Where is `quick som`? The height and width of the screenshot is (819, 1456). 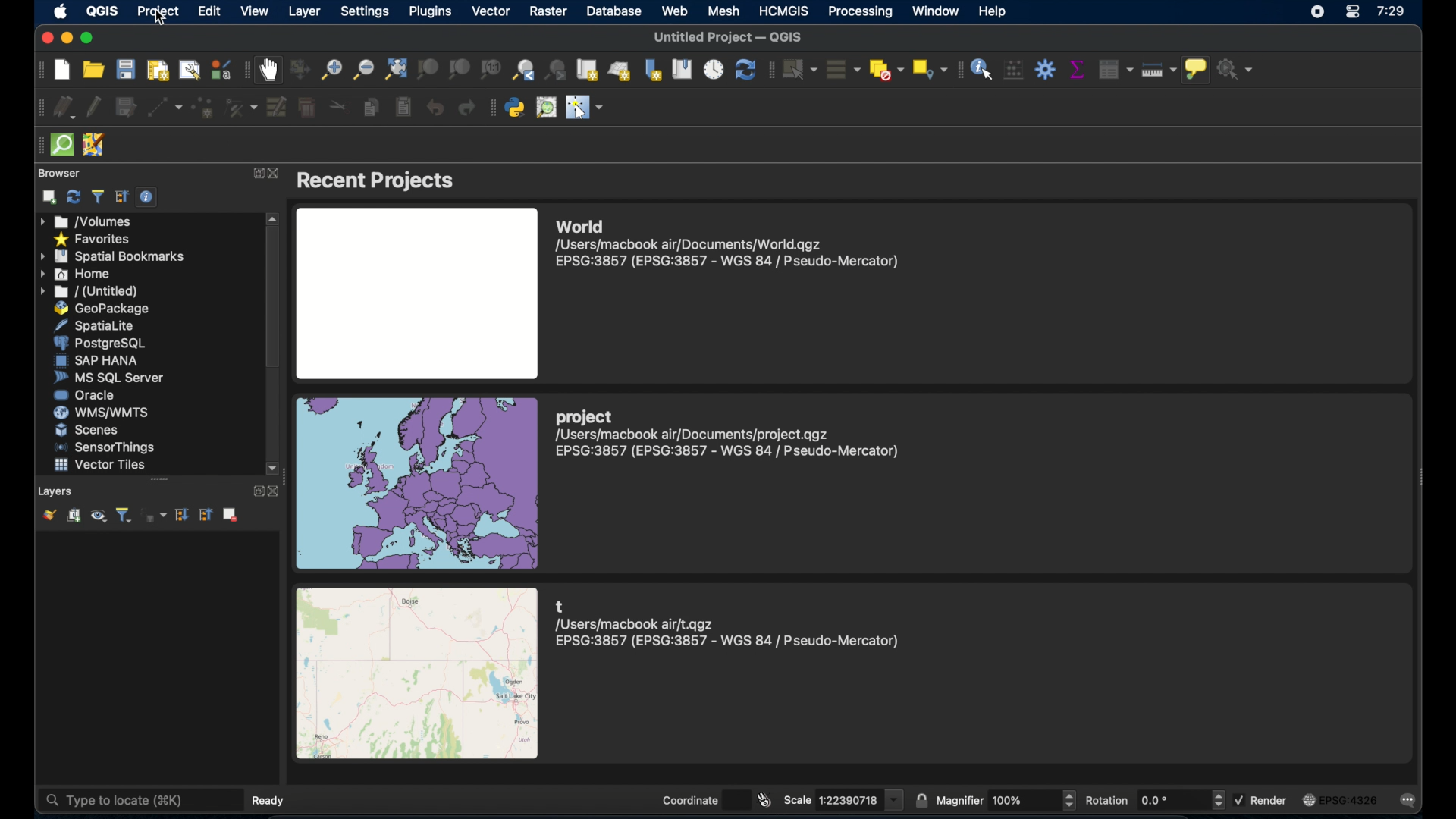
quick som is located at coordinates (62, 145).